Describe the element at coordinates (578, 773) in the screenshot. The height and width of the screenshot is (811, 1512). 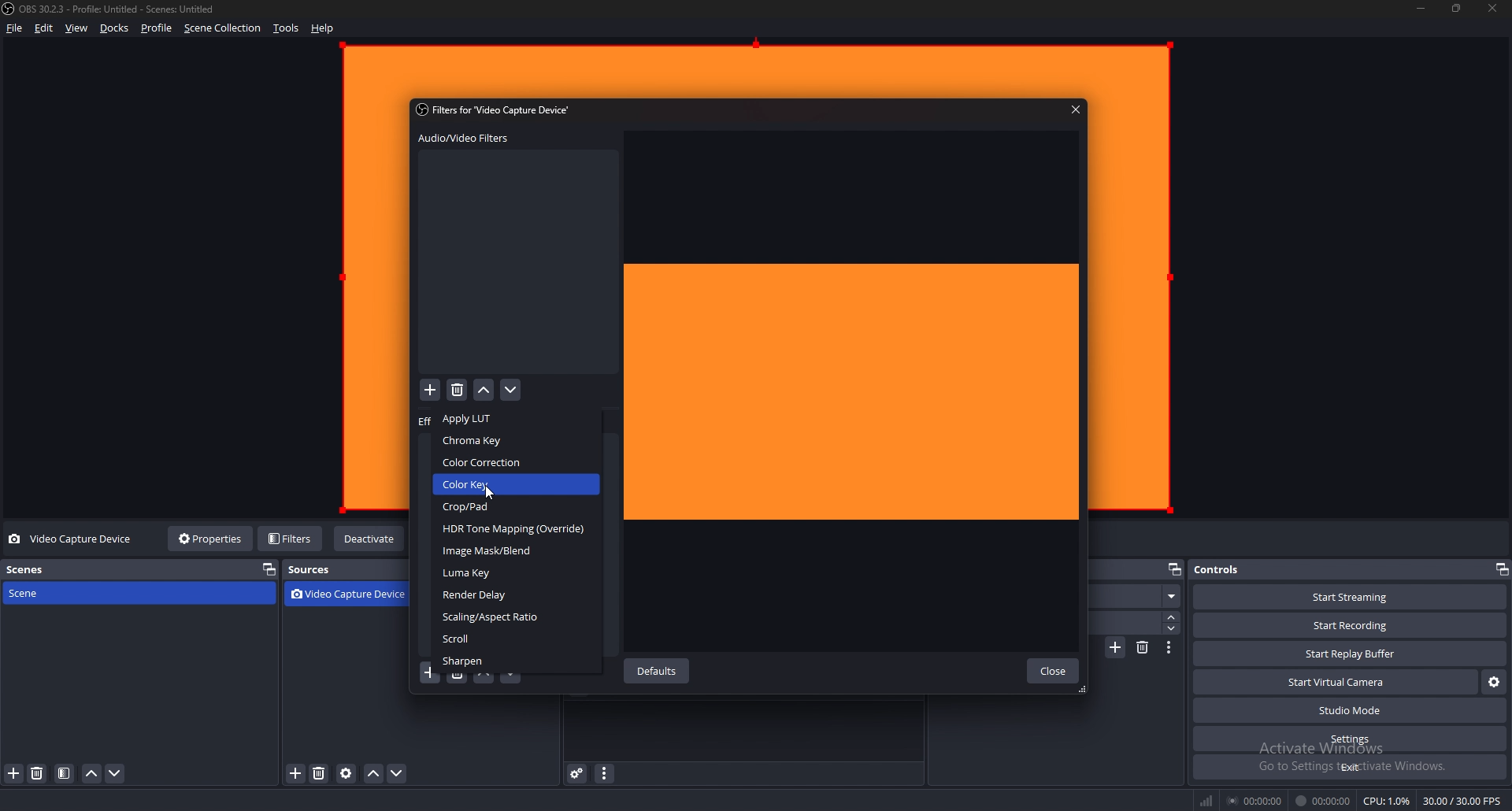
I see `audio mixer settings` at that location.